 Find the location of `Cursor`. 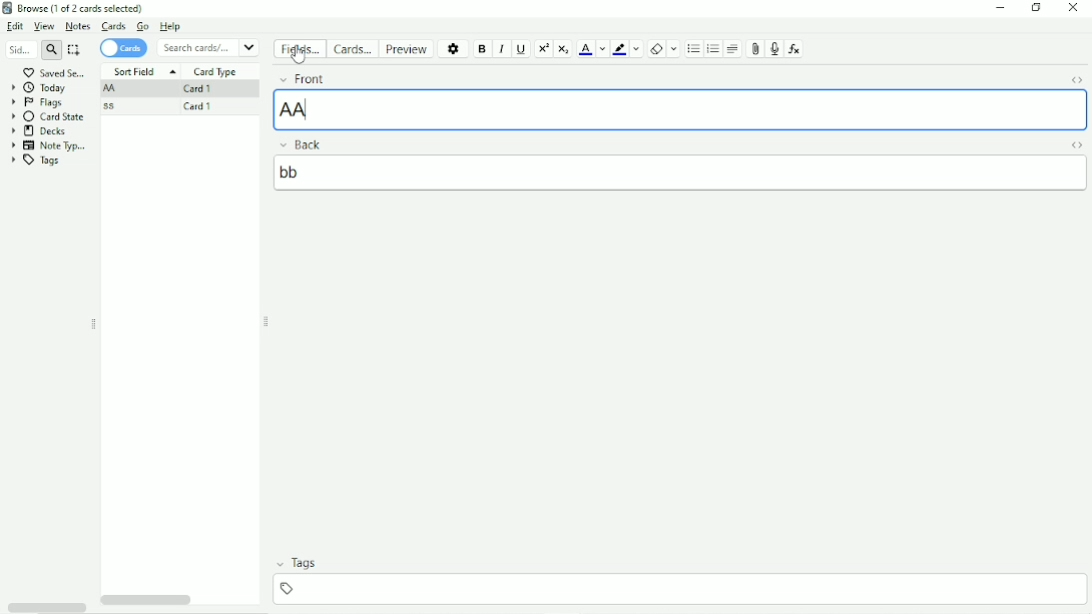

Cursor is located at coordinates (300, 53).